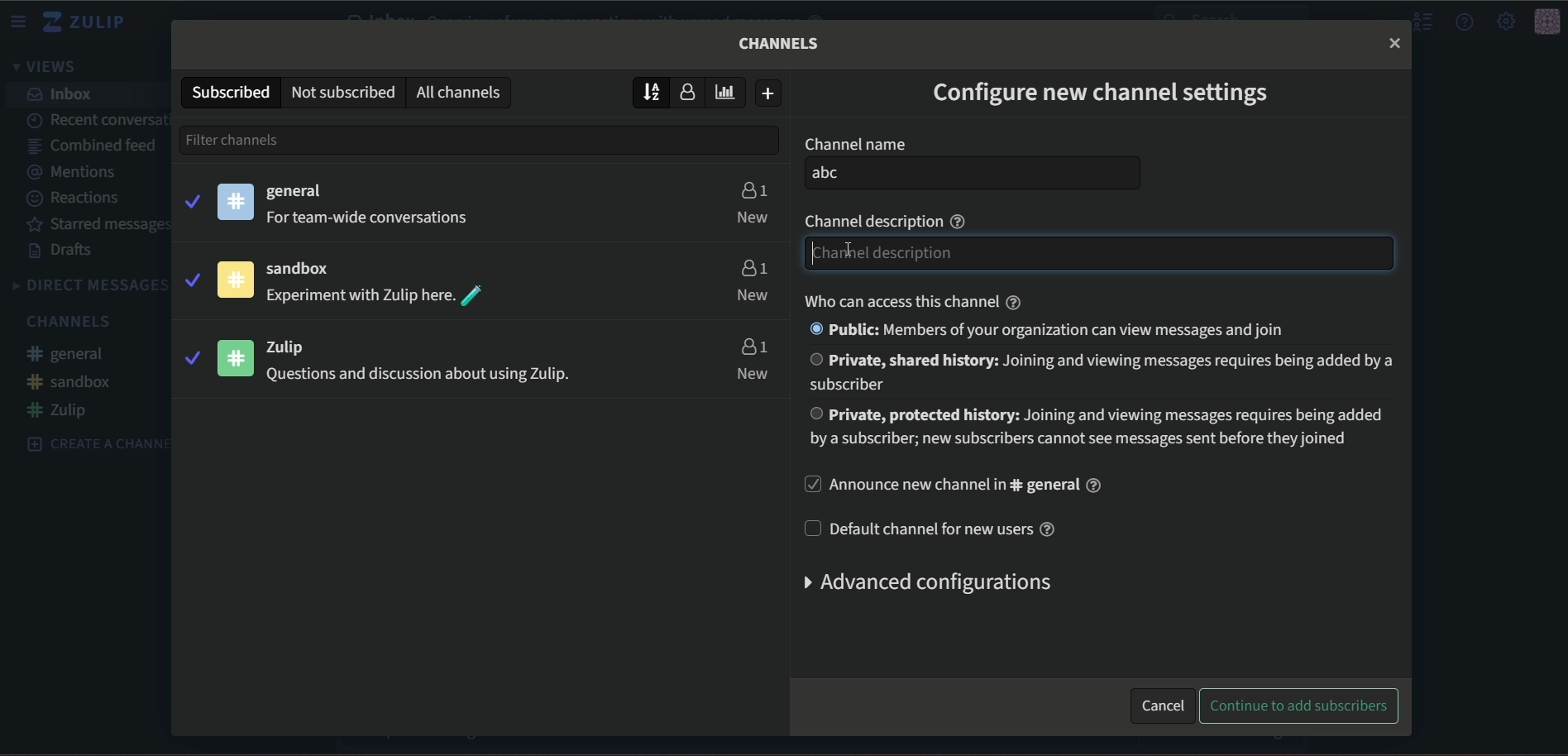 The image size is (1568, 756). Describe the element at coordinates (303, 192) in the screenshot. I see `general` at that location.